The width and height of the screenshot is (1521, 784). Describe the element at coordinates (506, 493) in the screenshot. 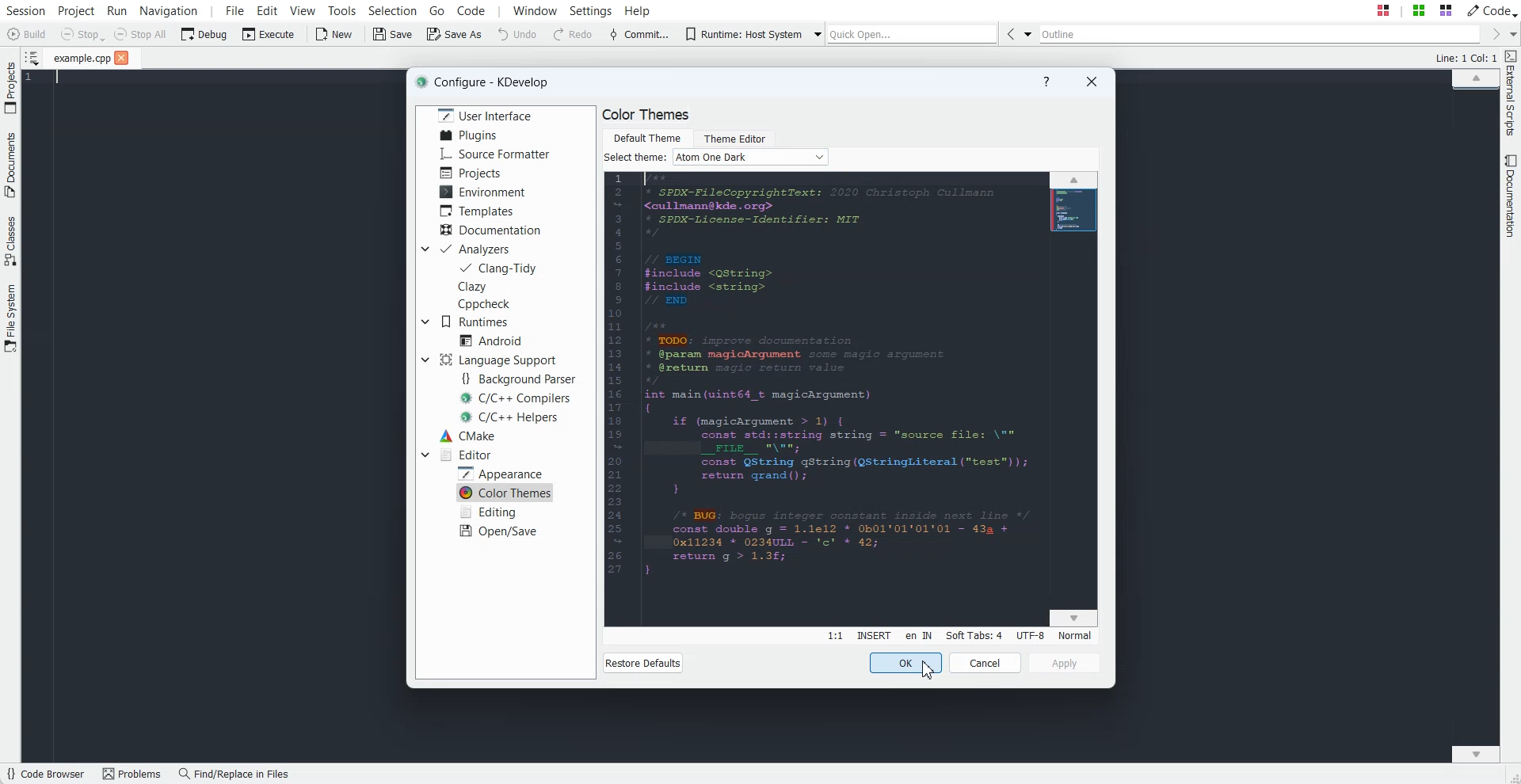

I see `Color Themes selected` at that location.